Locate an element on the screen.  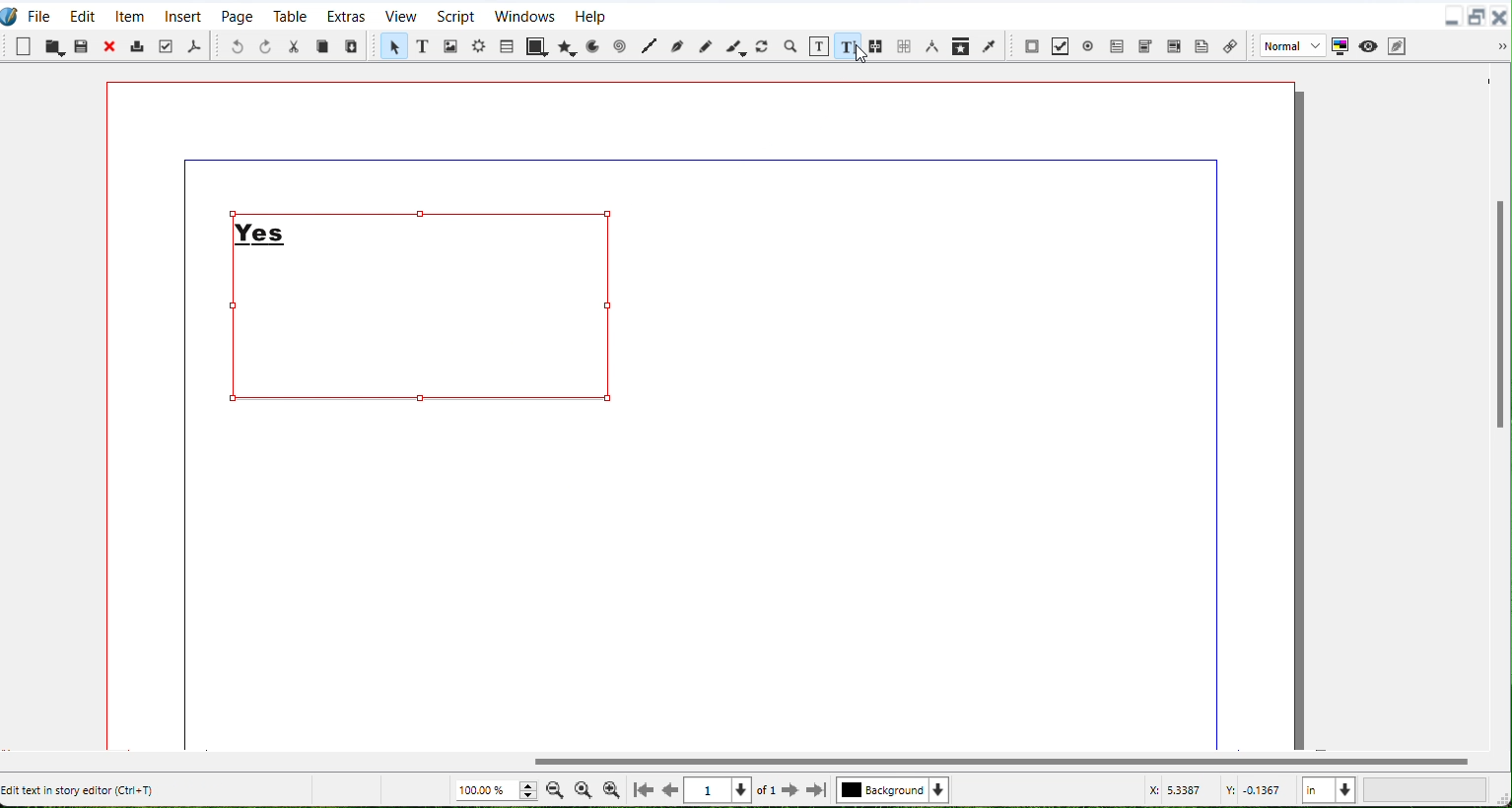
Cut is located at coordinates (295, 46).